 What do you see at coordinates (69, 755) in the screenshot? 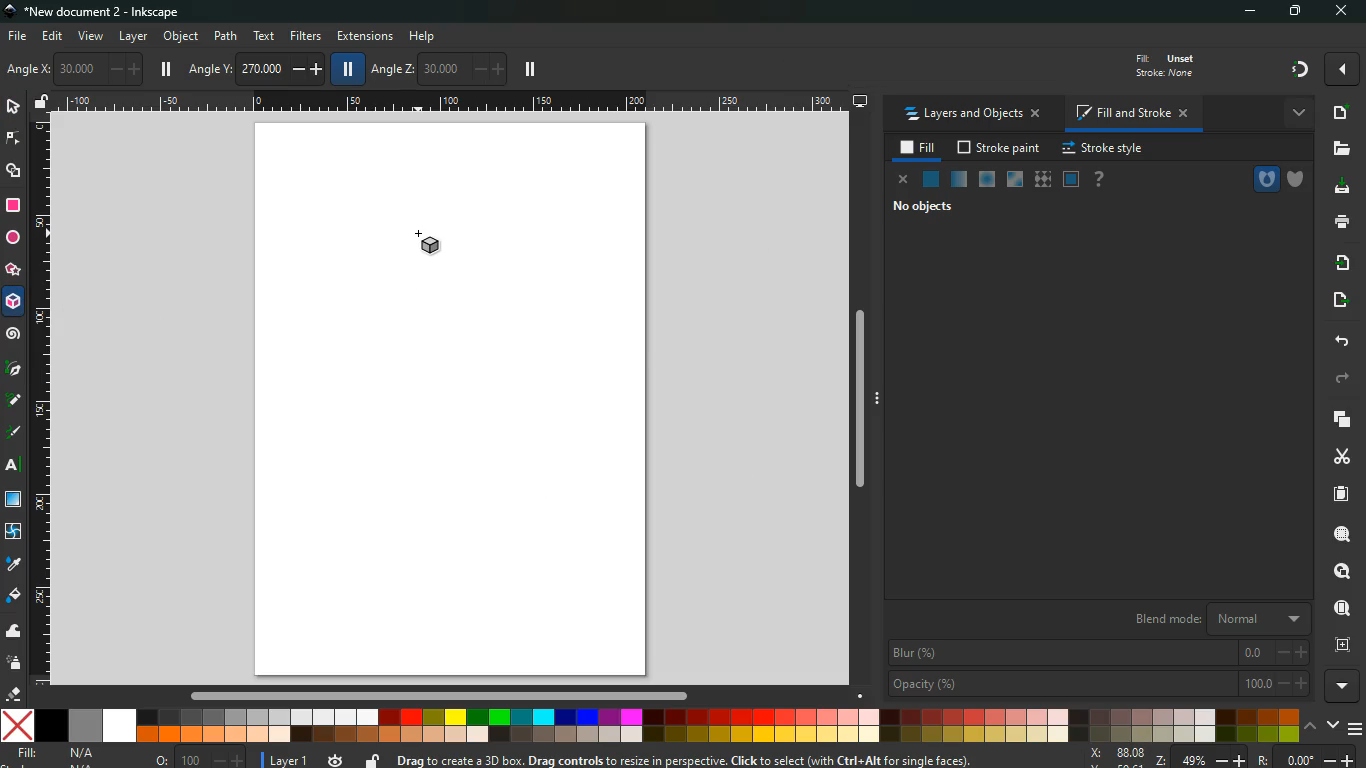
I see `fill` at bounding box center [69, 755].